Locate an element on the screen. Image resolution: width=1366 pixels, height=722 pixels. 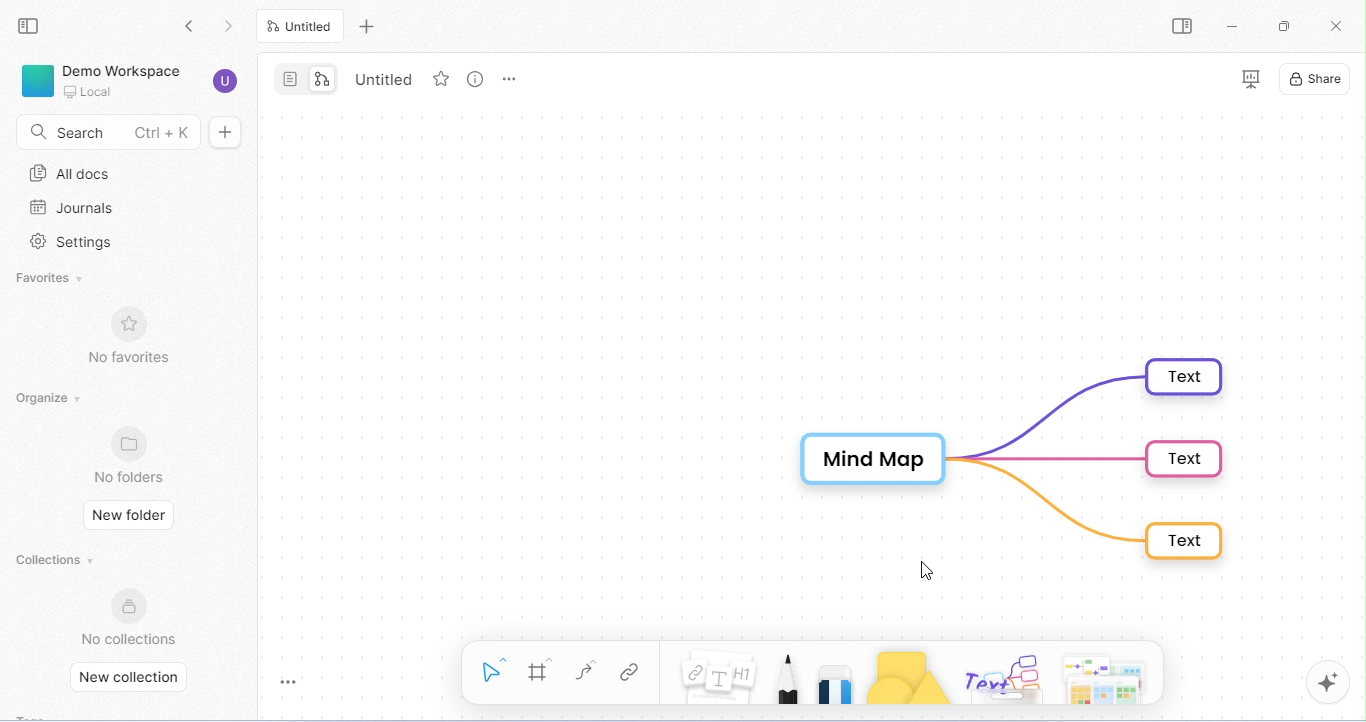
add new tab is located at coordinates (368, 25).